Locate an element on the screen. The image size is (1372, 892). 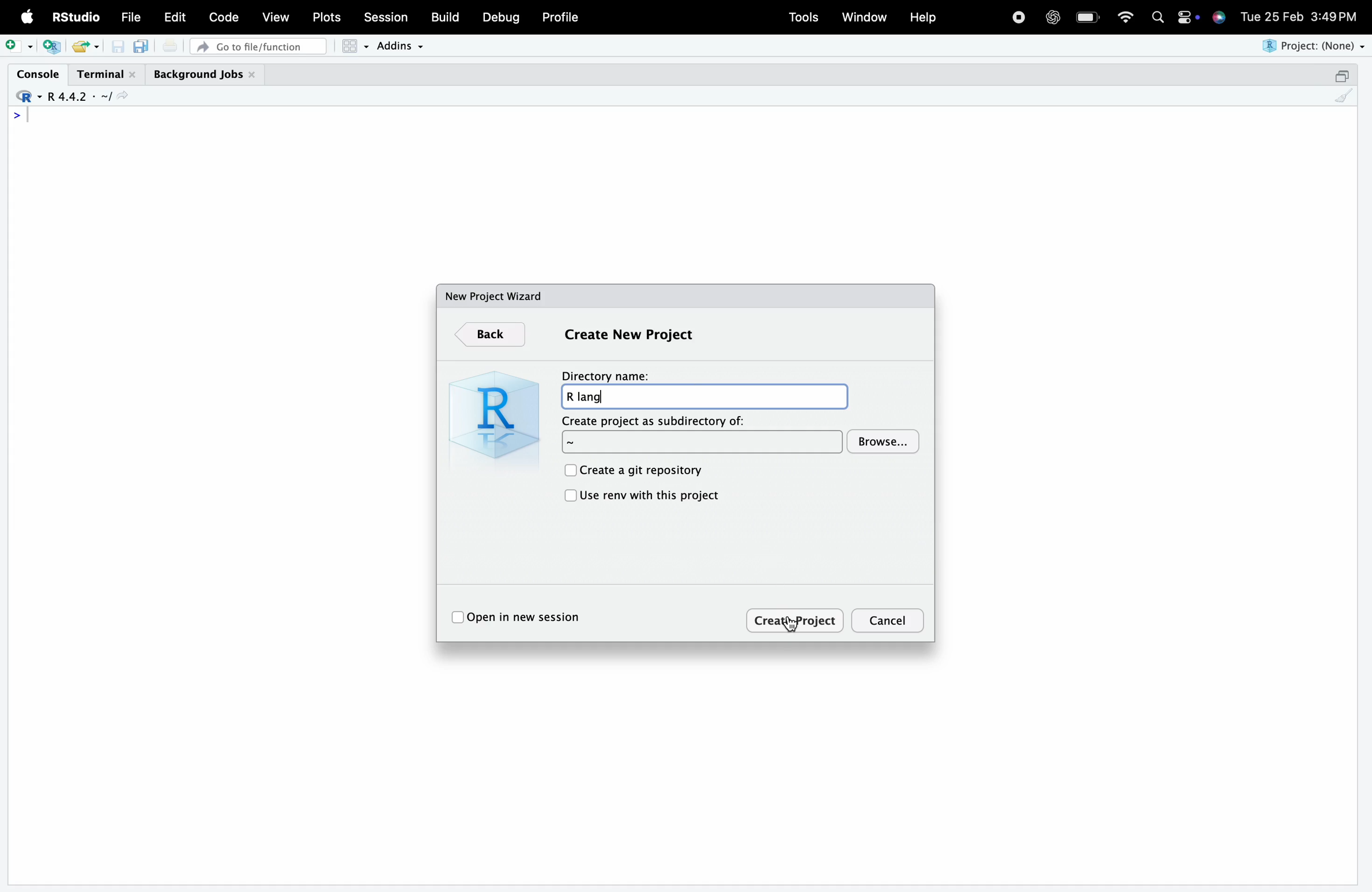
Workspace panes is located at coordinates (355, 46).